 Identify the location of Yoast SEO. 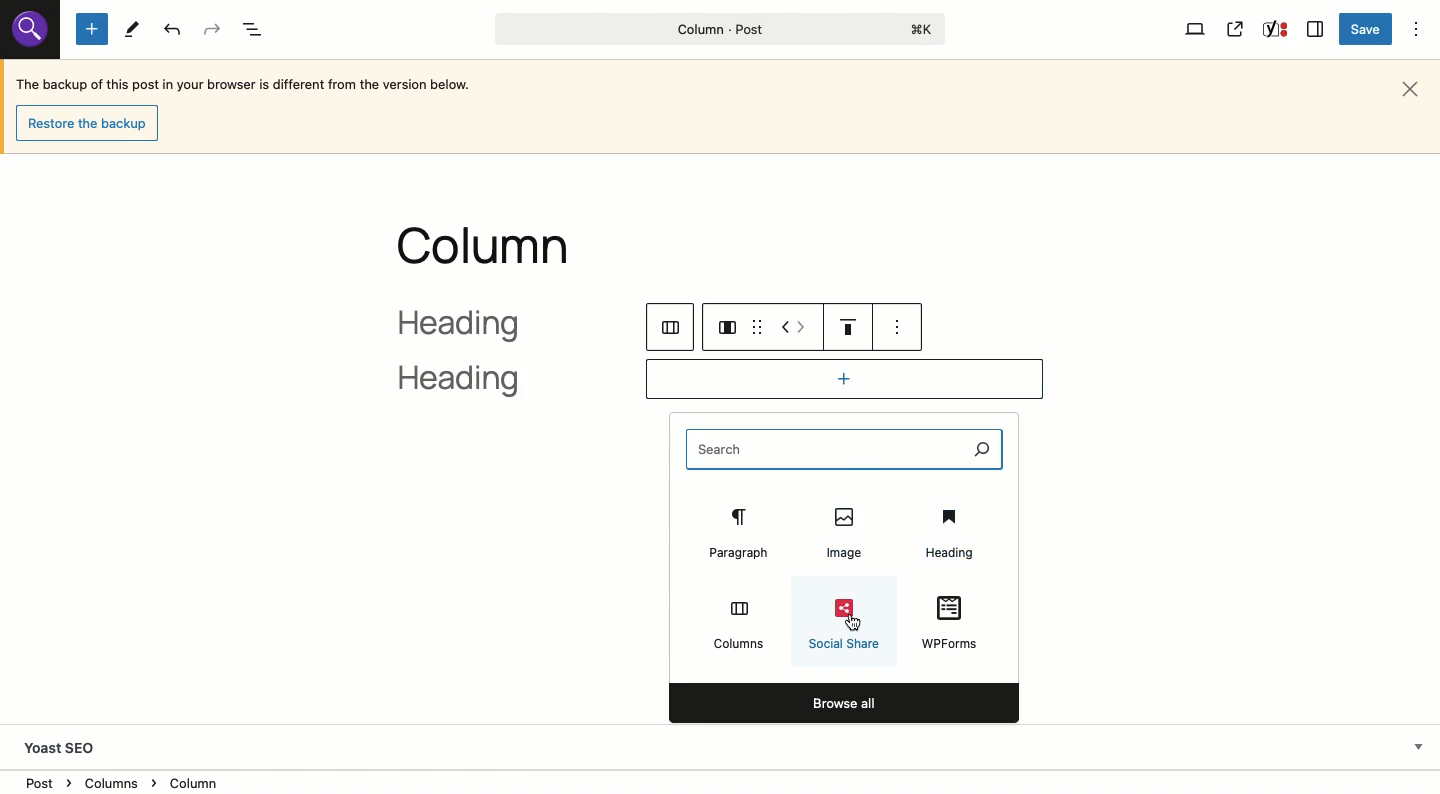
(68, 748).